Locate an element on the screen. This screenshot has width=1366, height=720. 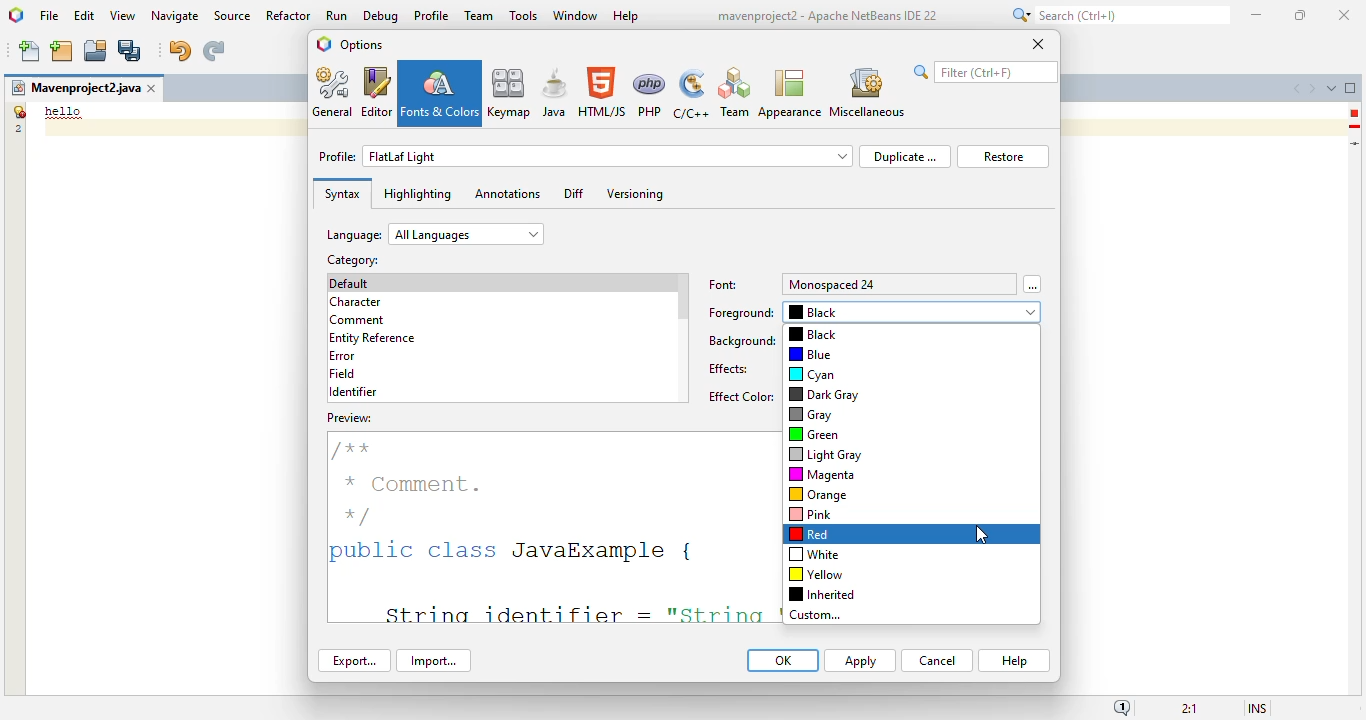
C/C++ is located at coordinates (690, 94).